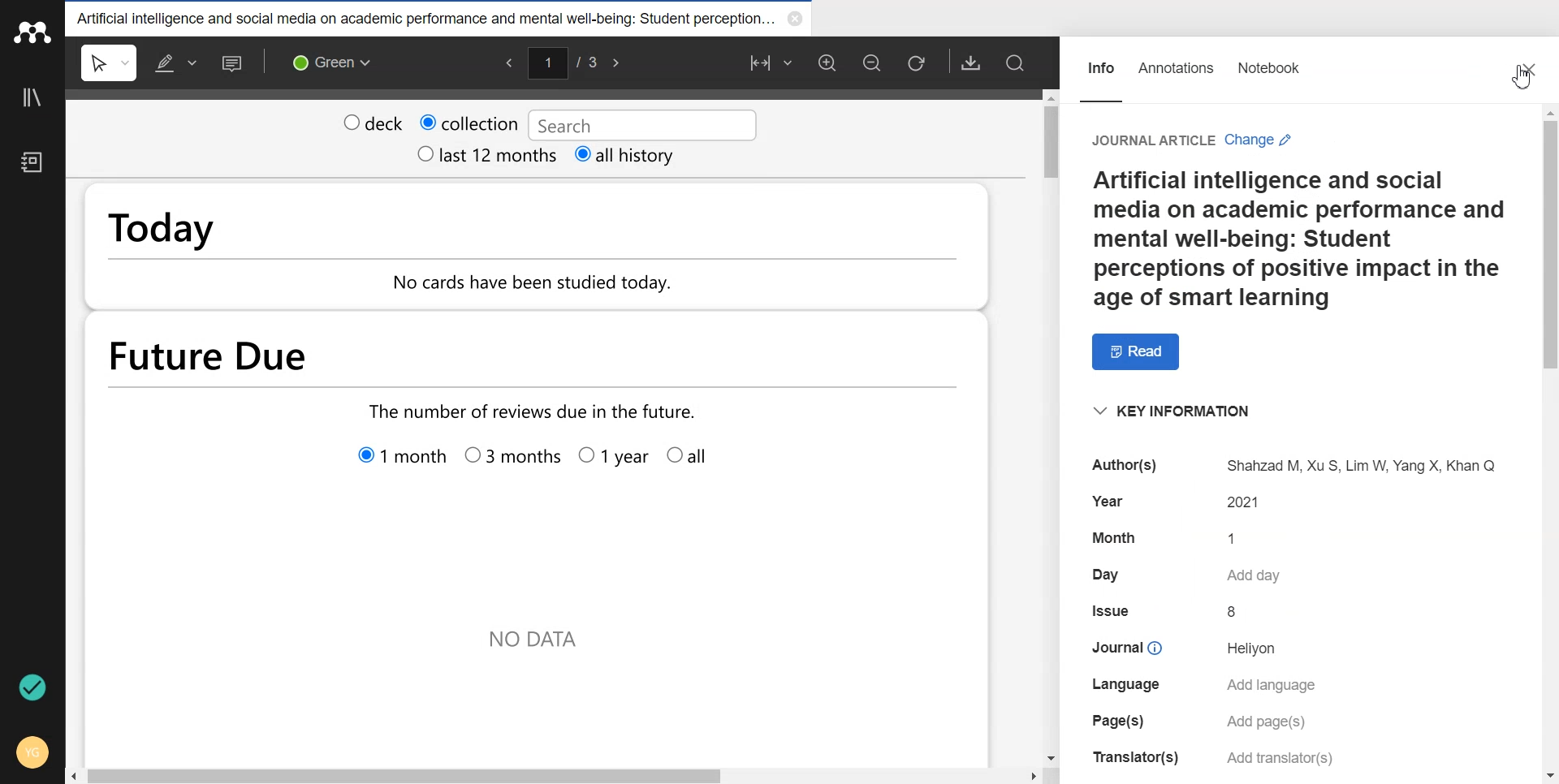 The image size is (1559, 784). Describe the element at coordinates (373, 121) in the screenshot. I see `deck` at that location.